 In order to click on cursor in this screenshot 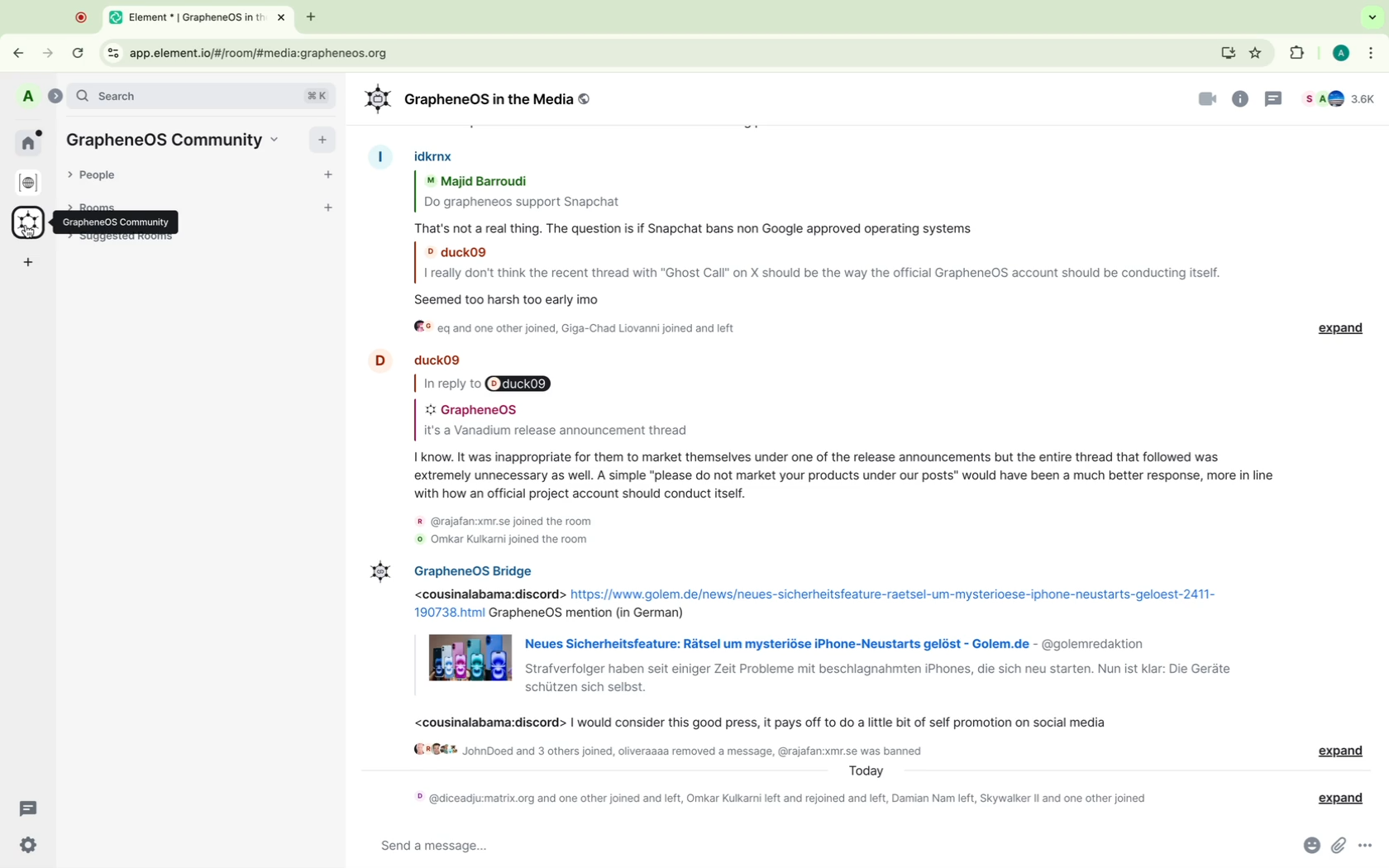, I will do `click(28, 231)`.